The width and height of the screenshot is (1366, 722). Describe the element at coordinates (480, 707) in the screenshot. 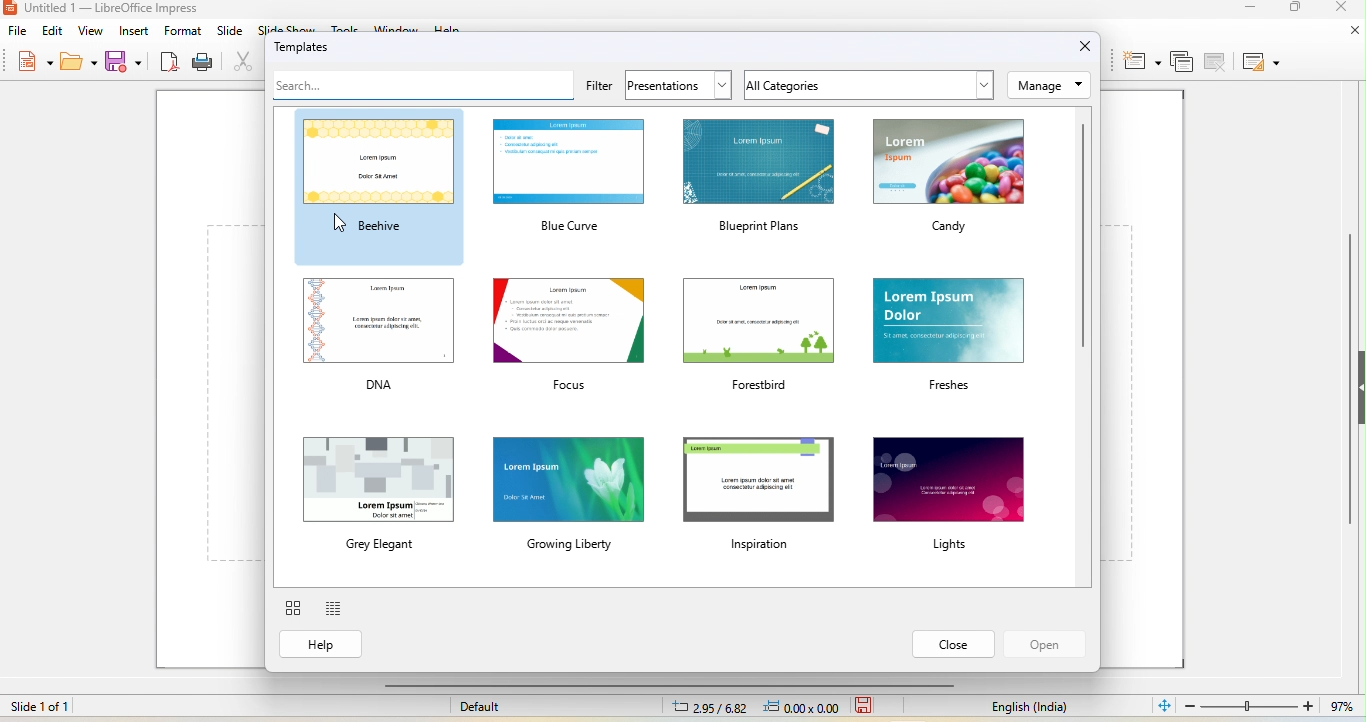

I see `default` at that location.